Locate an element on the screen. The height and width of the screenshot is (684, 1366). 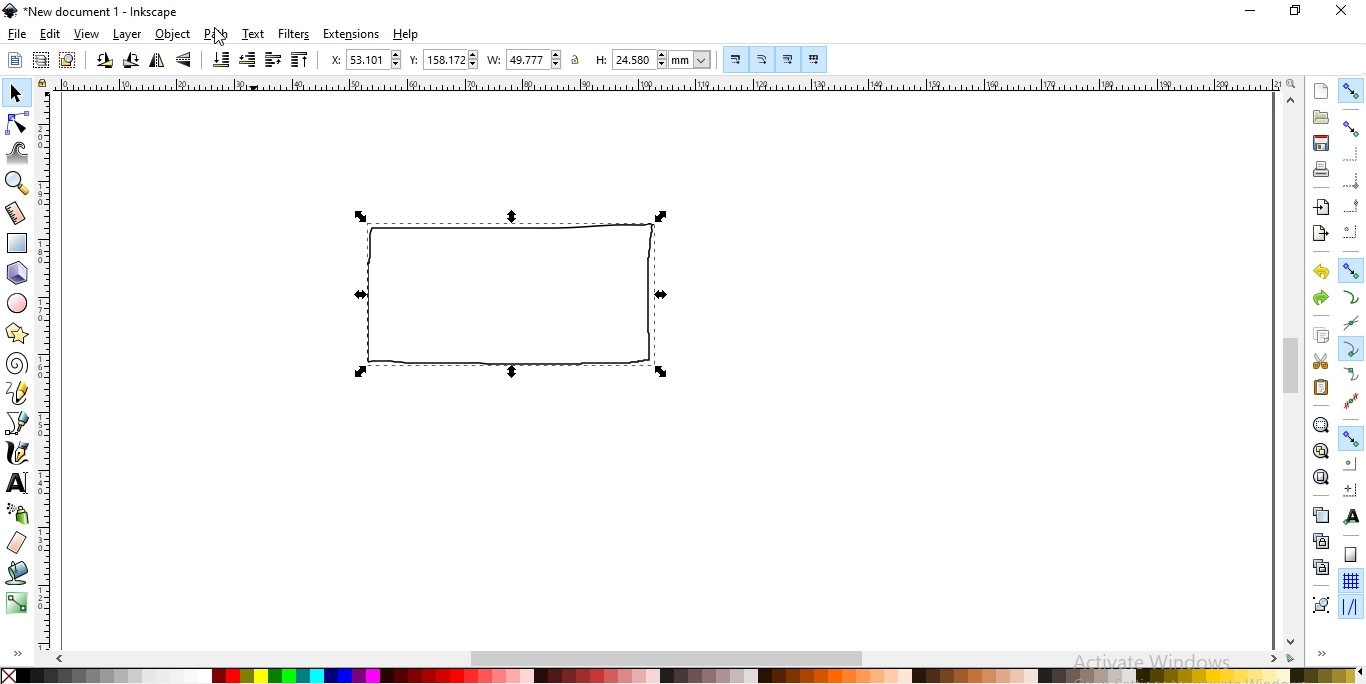
snap to paths is located at coordinates (1352, 297).